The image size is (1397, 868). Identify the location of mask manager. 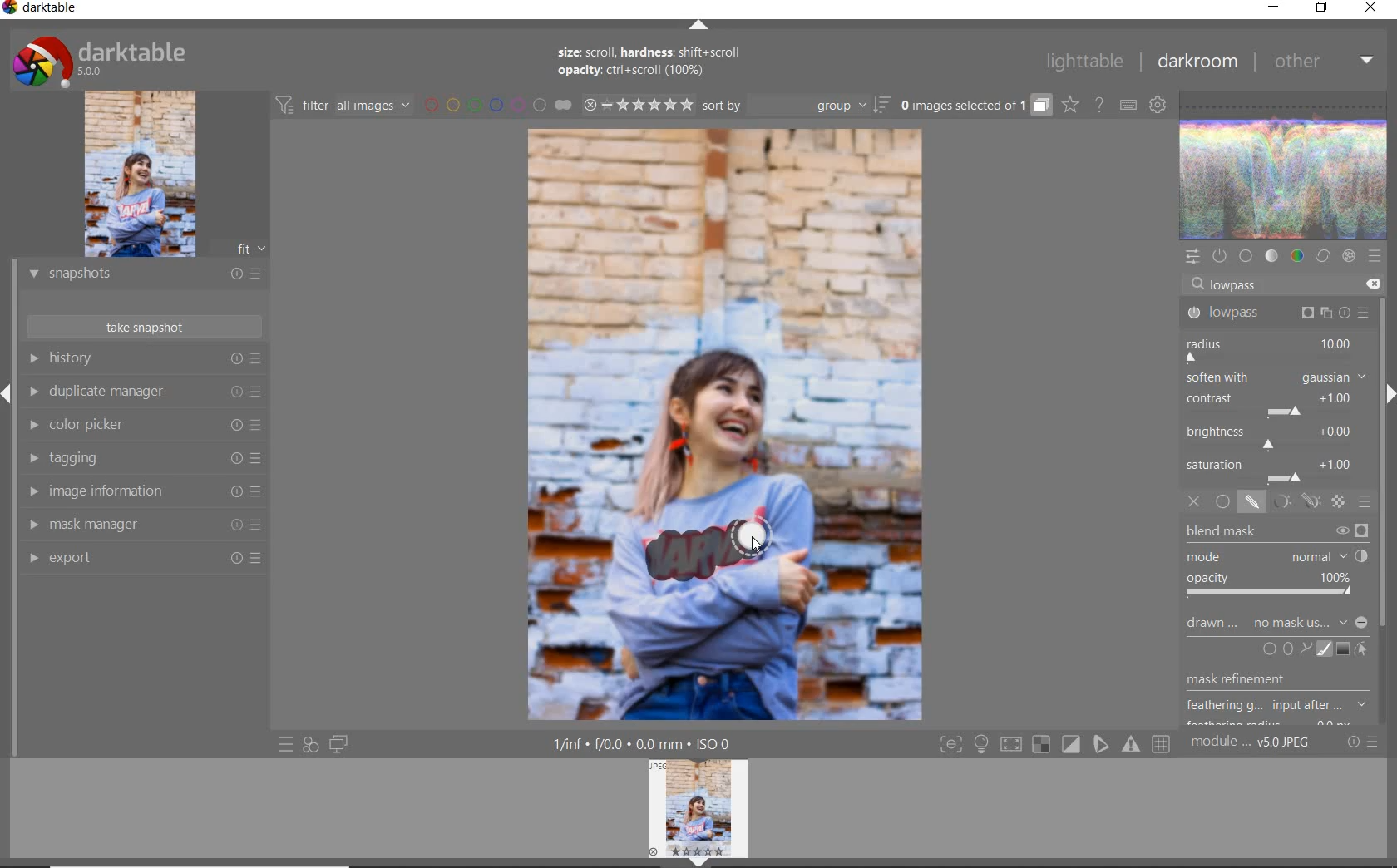
(143, 526).